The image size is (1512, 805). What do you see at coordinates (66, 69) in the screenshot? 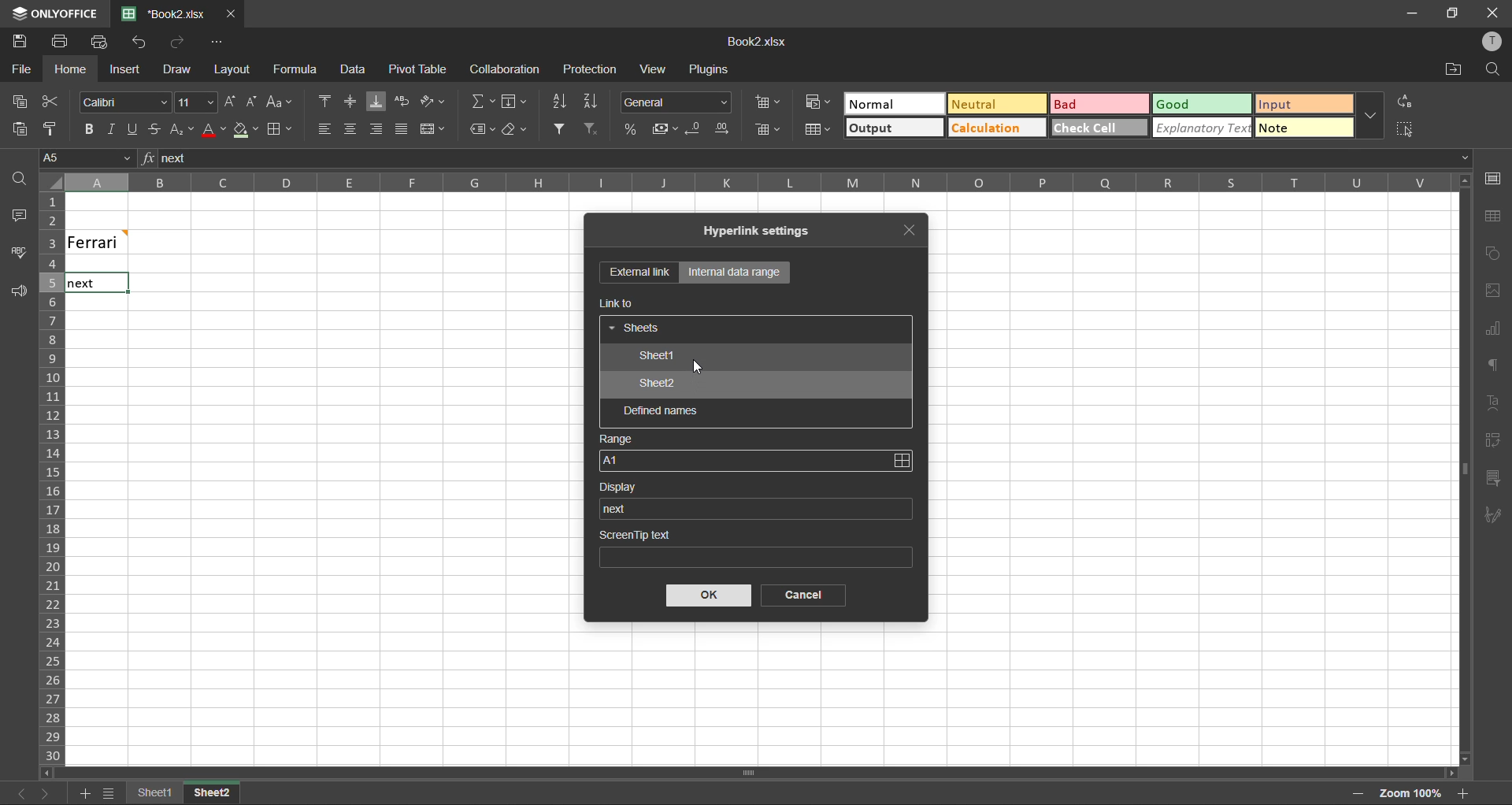
I see `home` at bounding box center [66, 69].